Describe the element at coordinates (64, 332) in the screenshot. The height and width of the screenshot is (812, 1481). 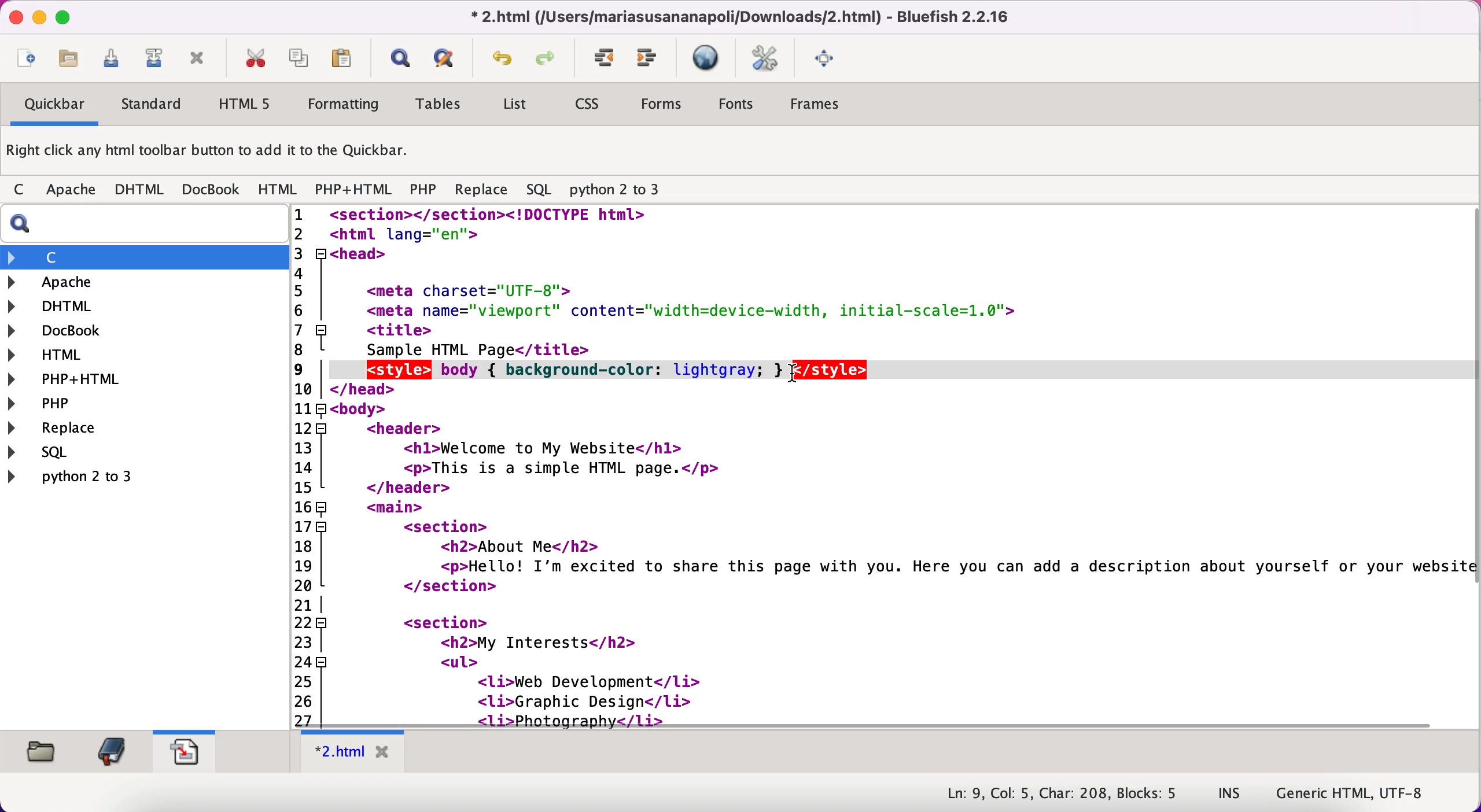
I see `docbook` at that location.